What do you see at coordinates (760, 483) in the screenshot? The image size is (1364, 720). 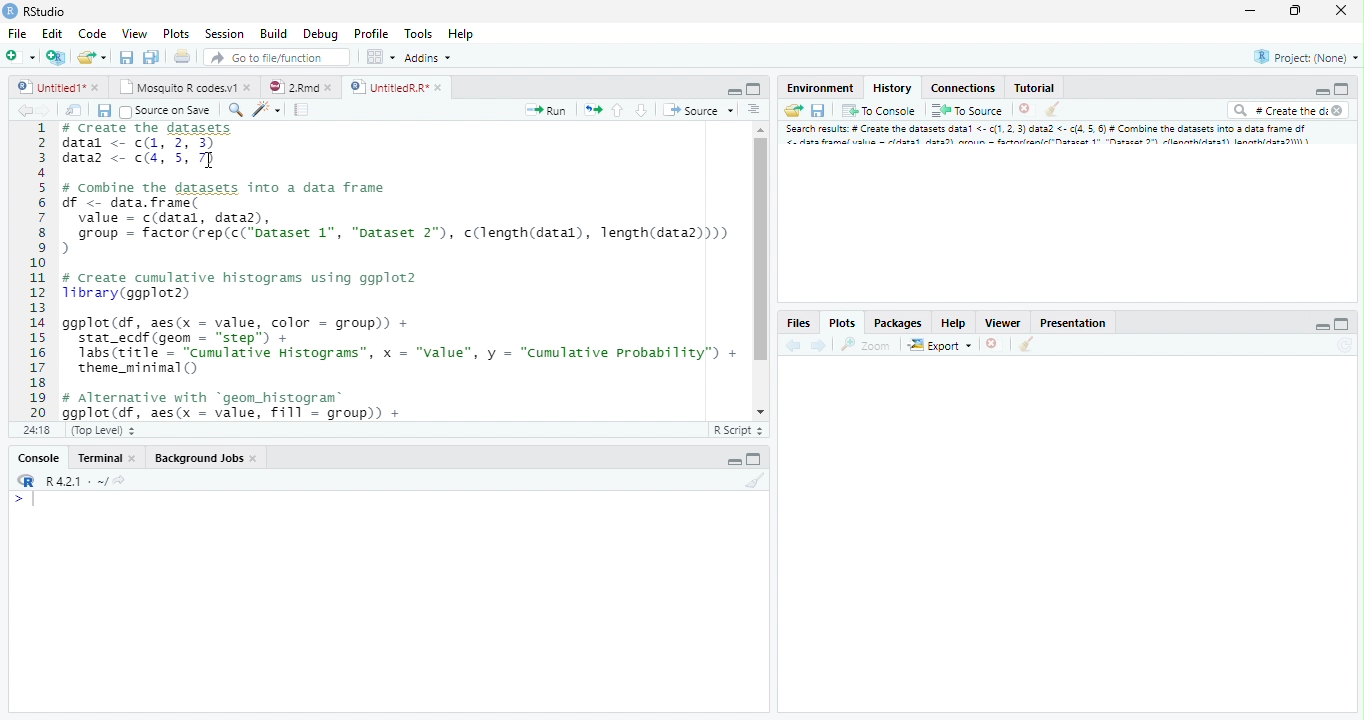 I see `Clear Console` at bounding box center [760, 483].